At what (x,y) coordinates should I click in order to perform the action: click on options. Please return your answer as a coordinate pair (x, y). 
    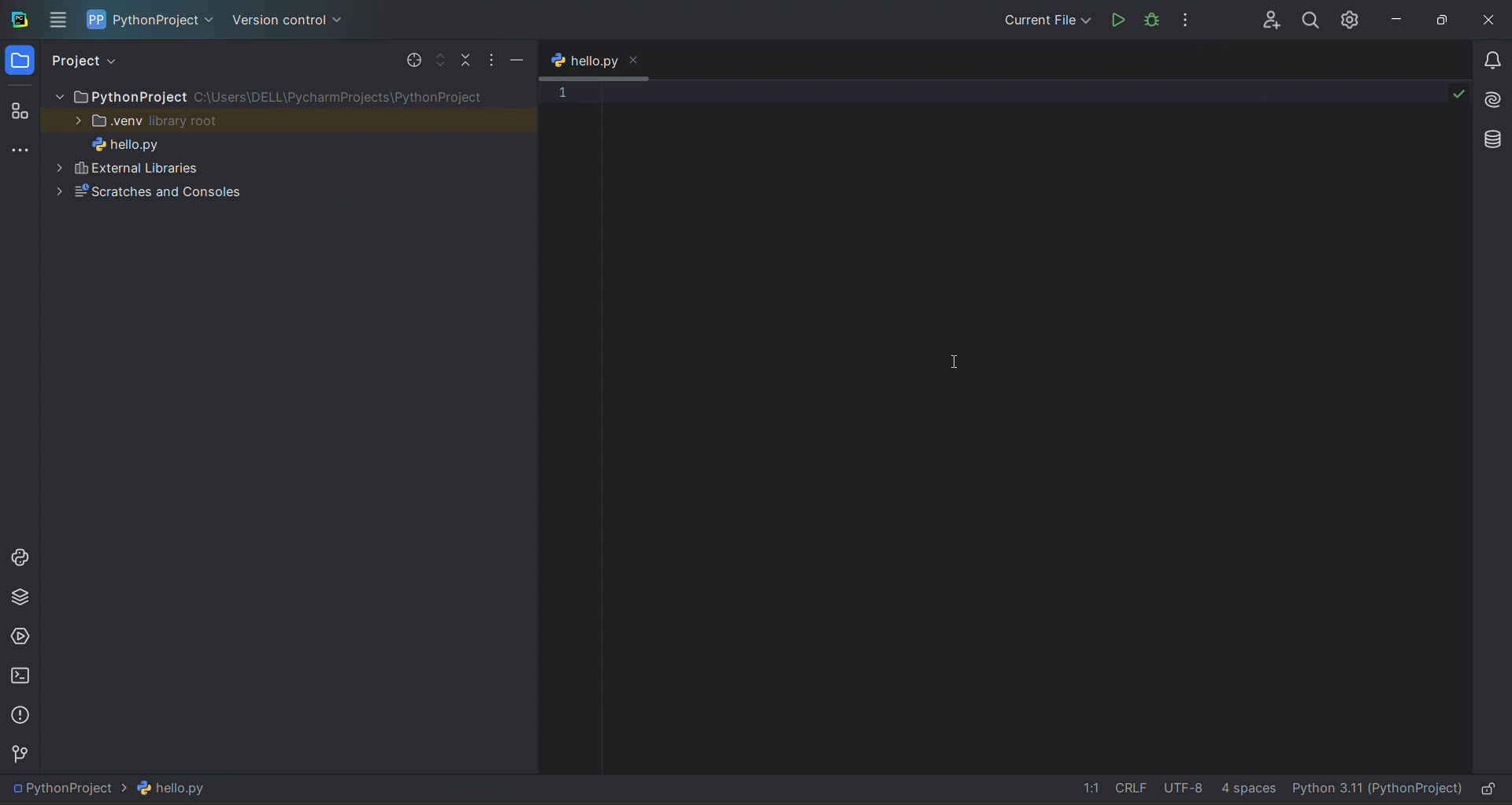
    Looking at the image, I should click on (1192, 20).